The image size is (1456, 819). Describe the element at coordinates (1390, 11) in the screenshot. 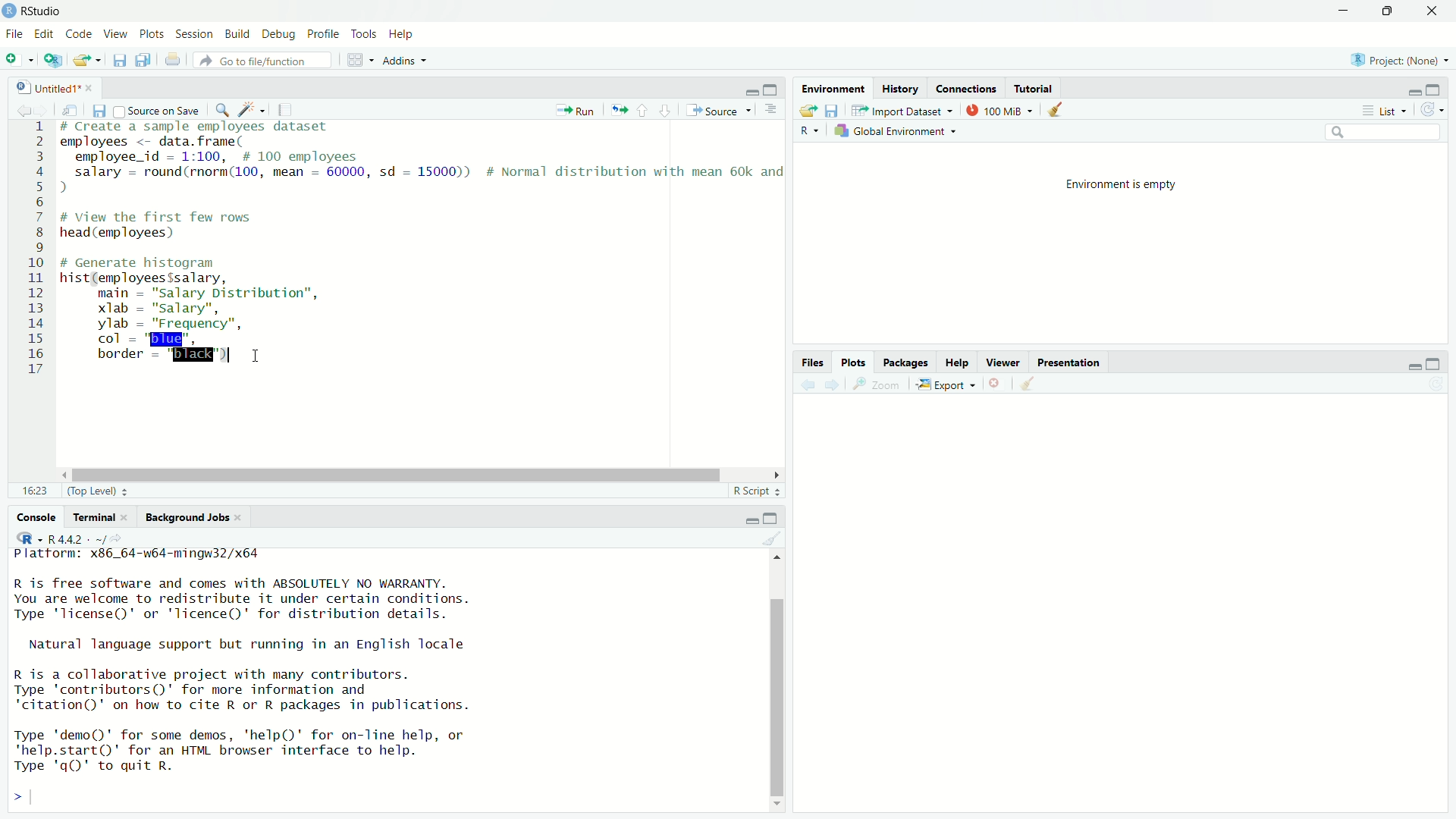

I see `maximize` at that location.